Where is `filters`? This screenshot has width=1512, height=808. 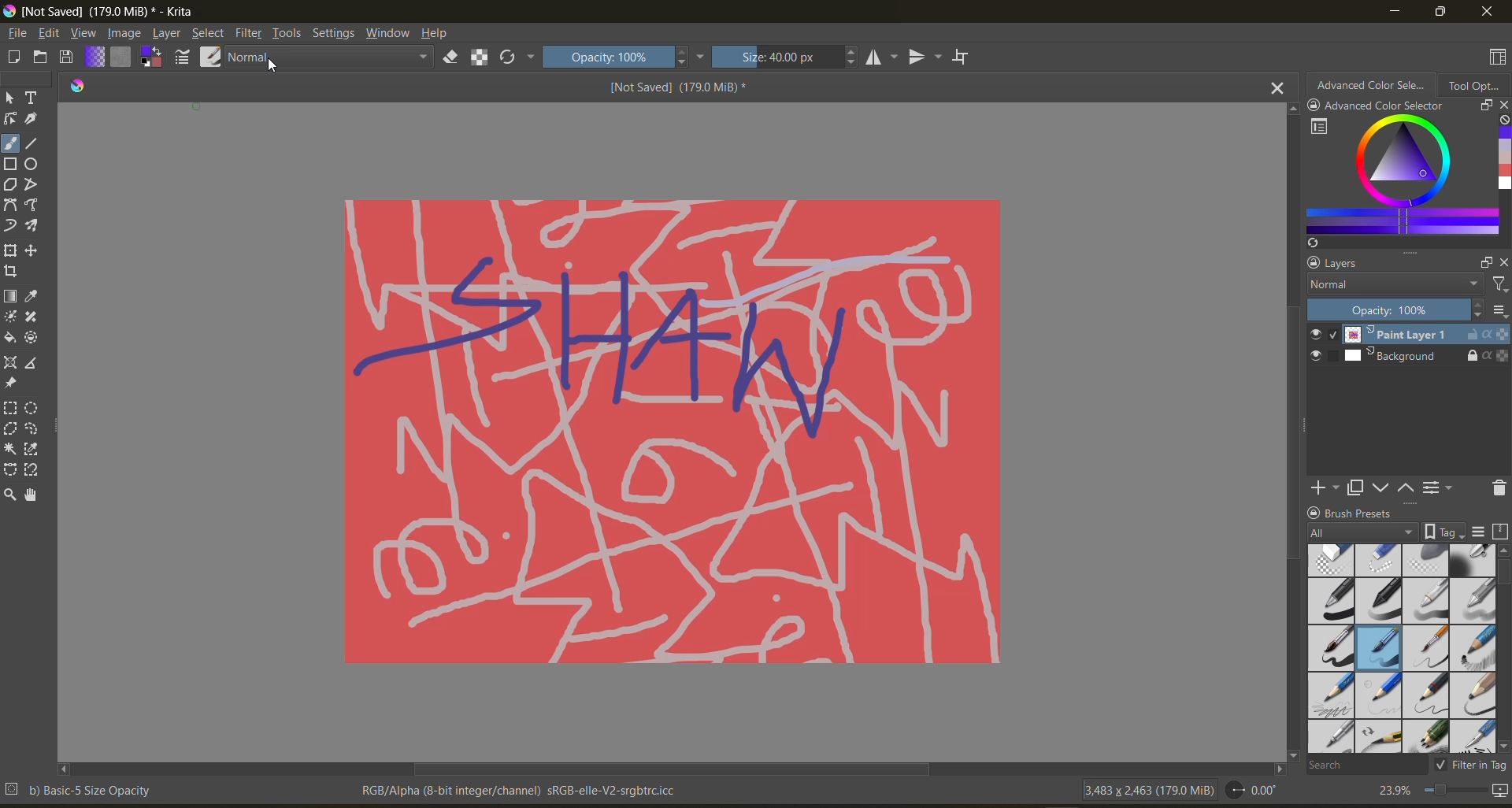
filters is located at coordinates (250, 32).